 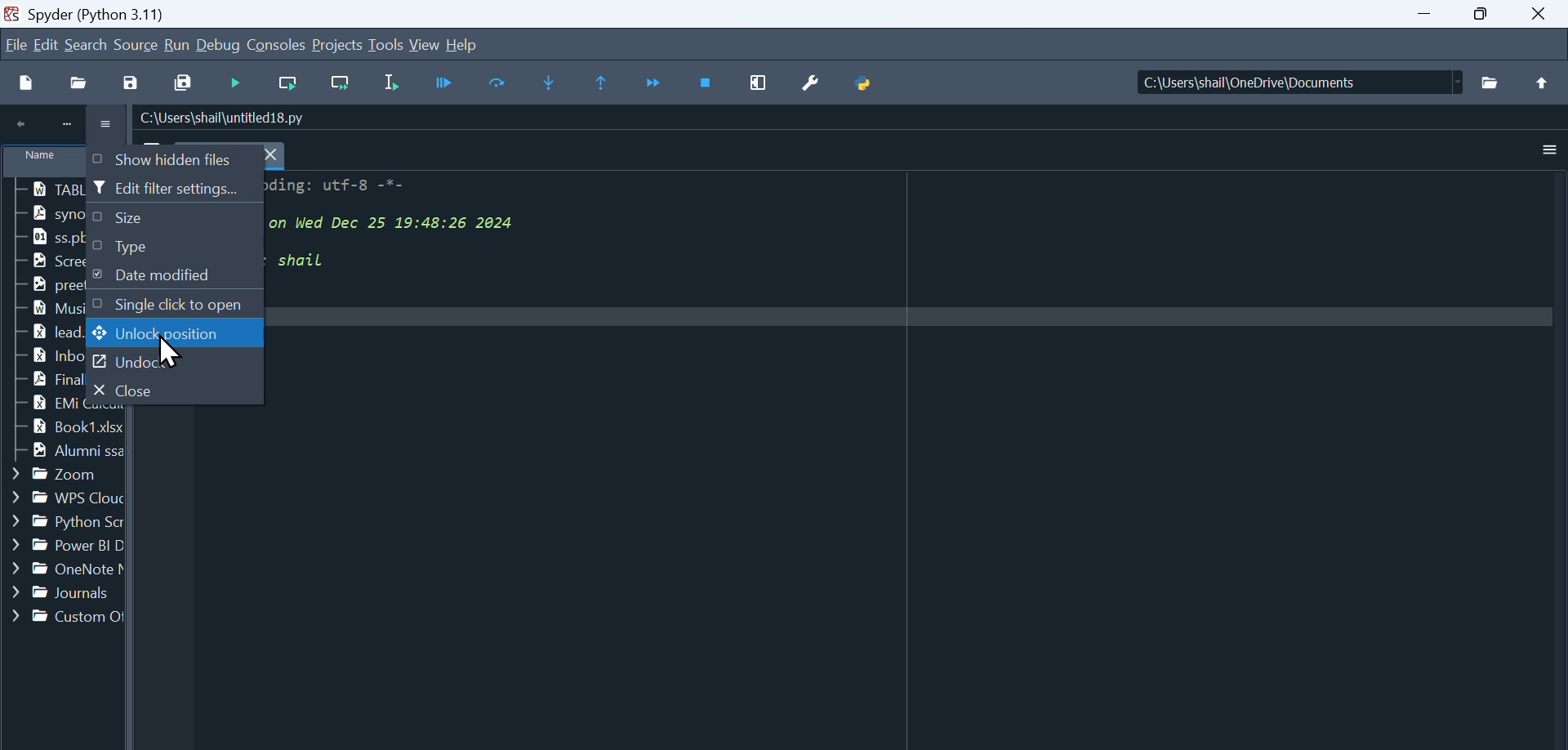 I want to click on size , so click(x=171, y=220).